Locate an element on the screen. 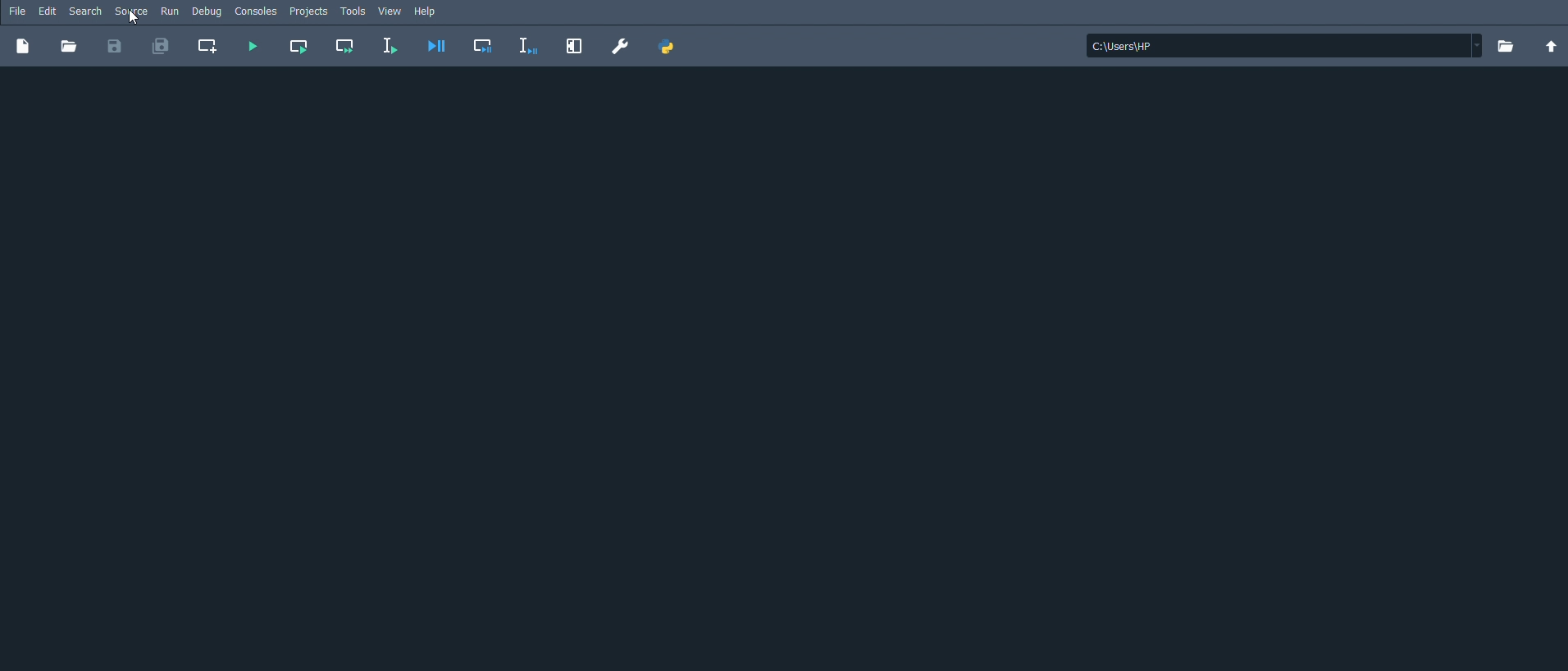  Debug file is located at coordinates (440, 46).